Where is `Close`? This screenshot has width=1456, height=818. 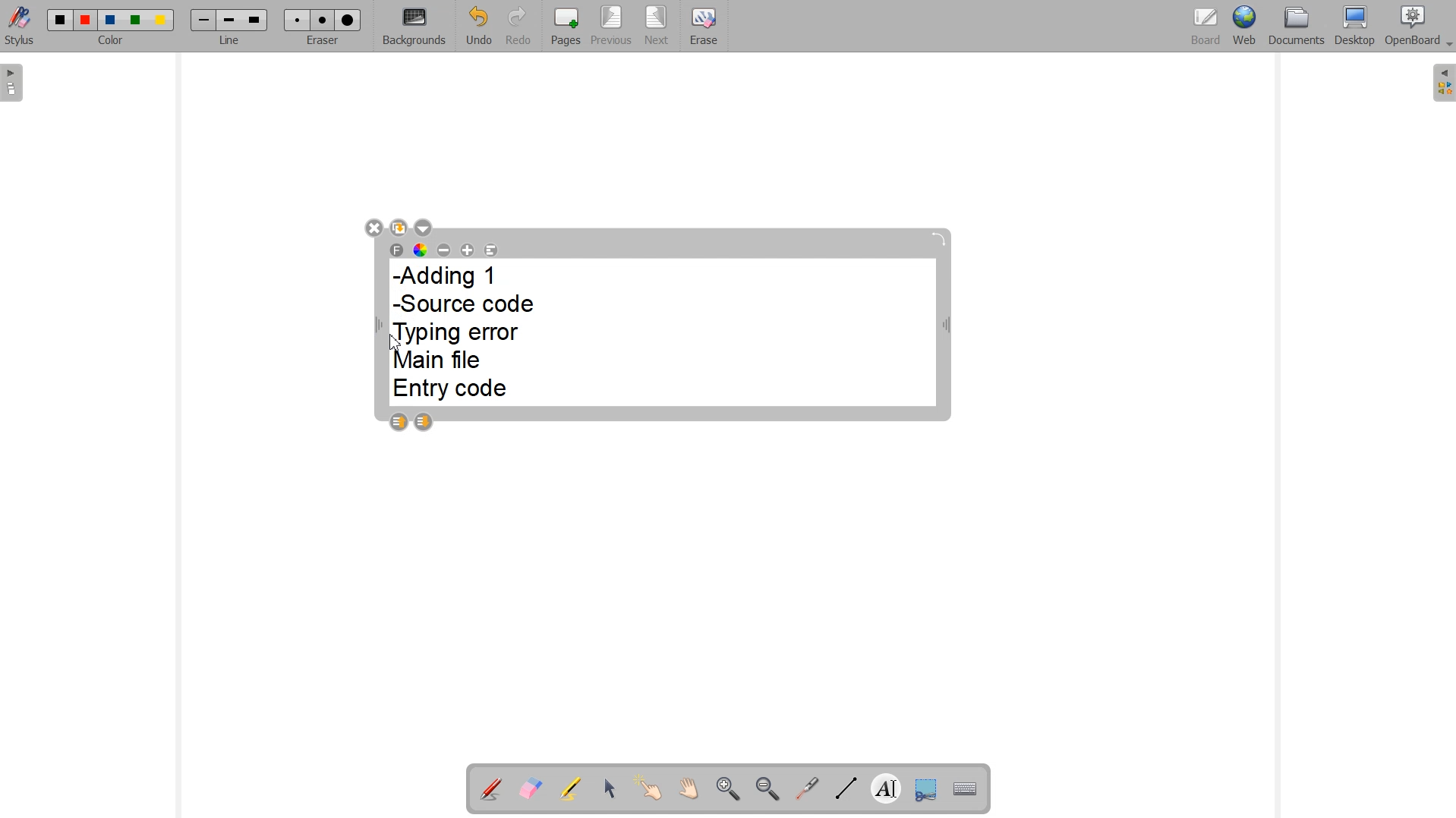
Close is located at coordinates (373, 227).